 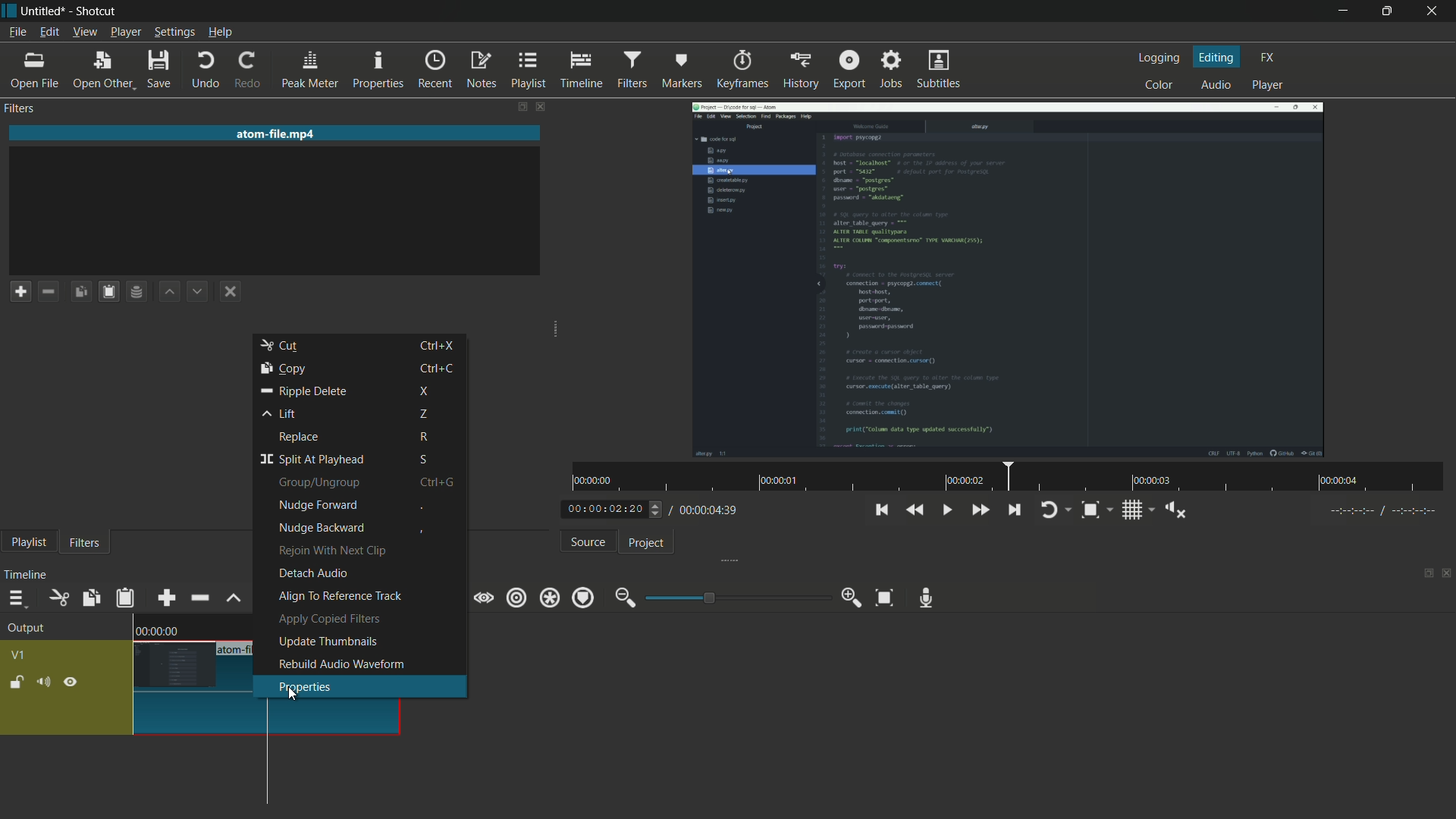 What do you see at coordinates (1012, 477) in the screenshot?
I see `time` at bounding box center [1012, 477].